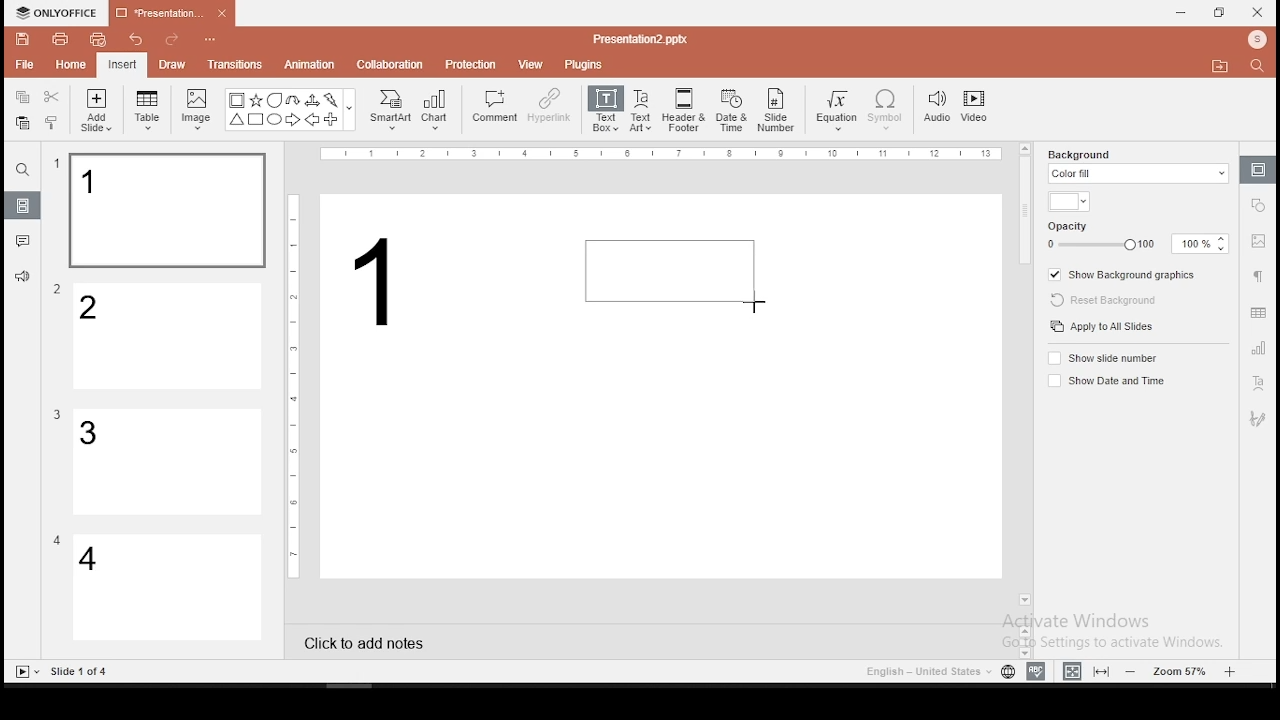 The width and height of the screenshot is (1280, 720). What do you see at coordinates (136, 41) in the screenshot?
I see `undo` at bounding box center [136, 41].